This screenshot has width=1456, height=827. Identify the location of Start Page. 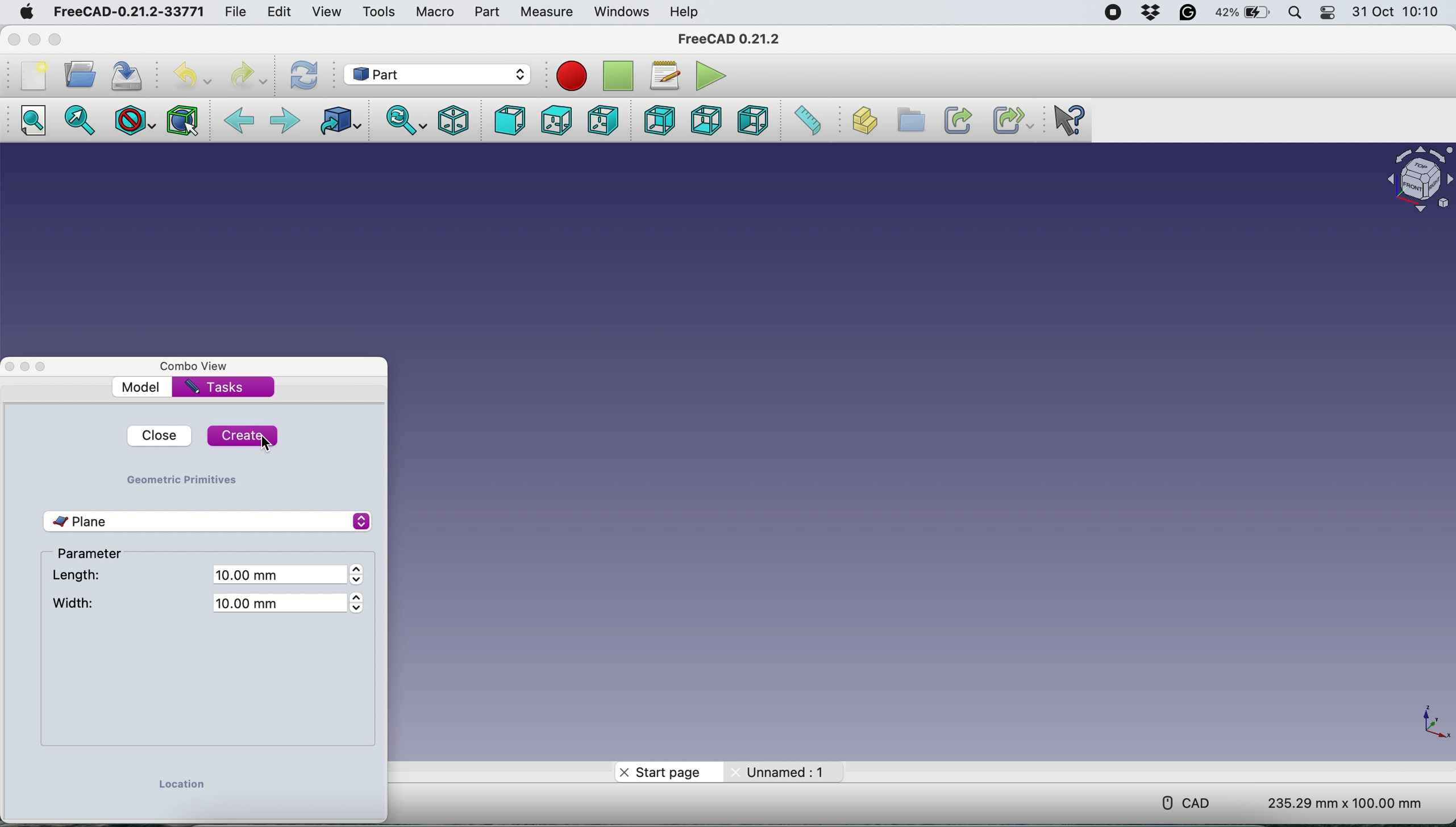
(658, 771).